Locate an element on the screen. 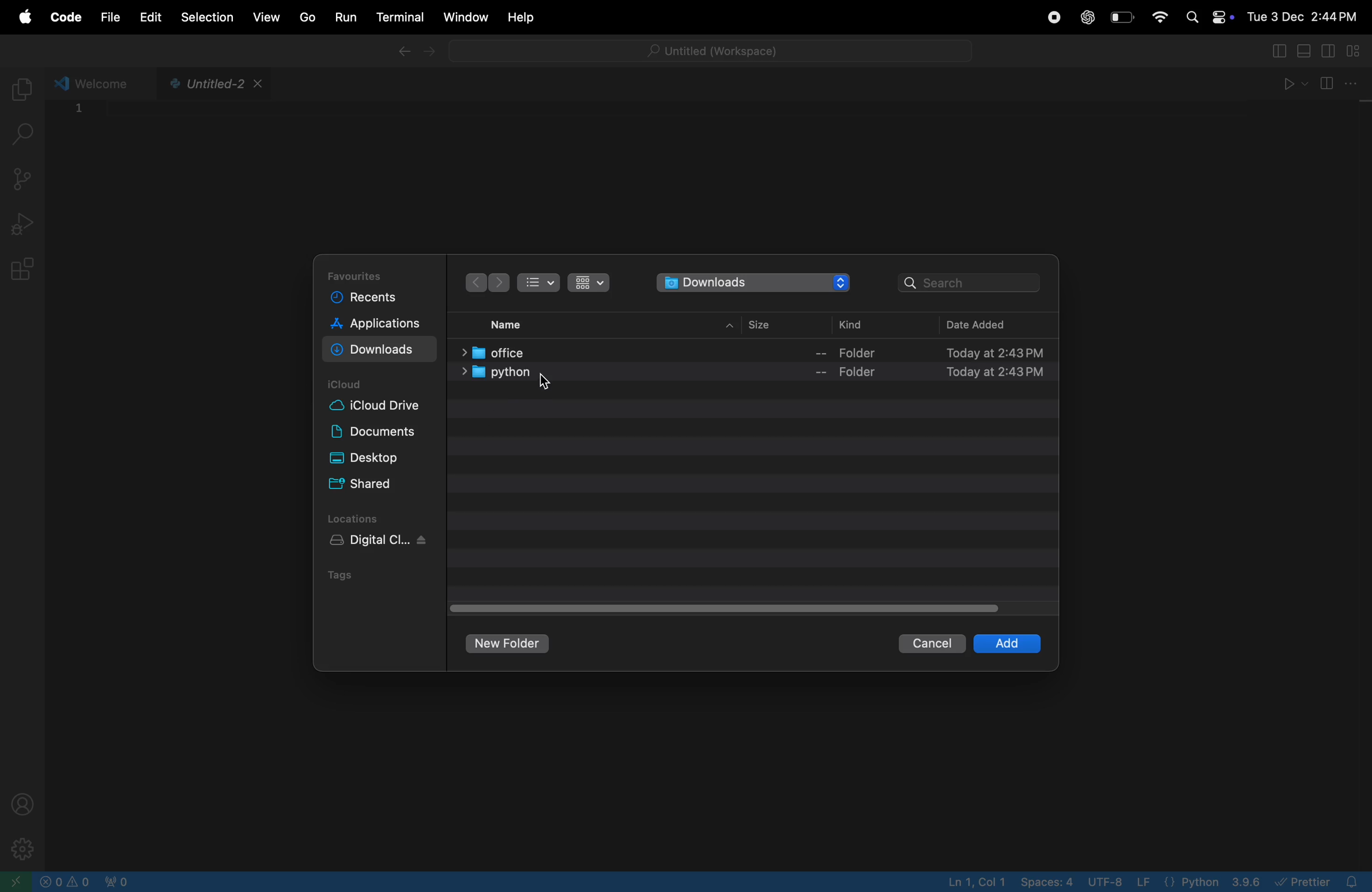 The width and height of the screenshot is (1372, 892). next is located at coordinates (504, 281).